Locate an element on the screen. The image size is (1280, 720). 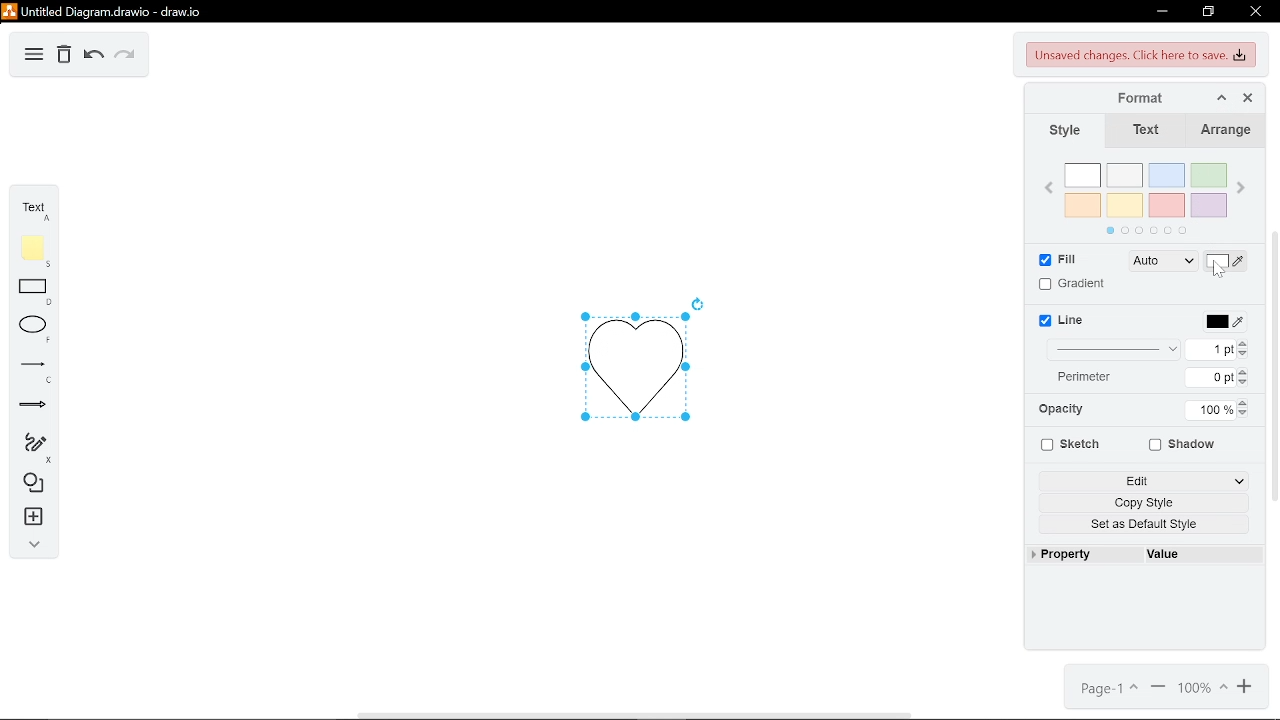
text is located at coordinates (31, 210).